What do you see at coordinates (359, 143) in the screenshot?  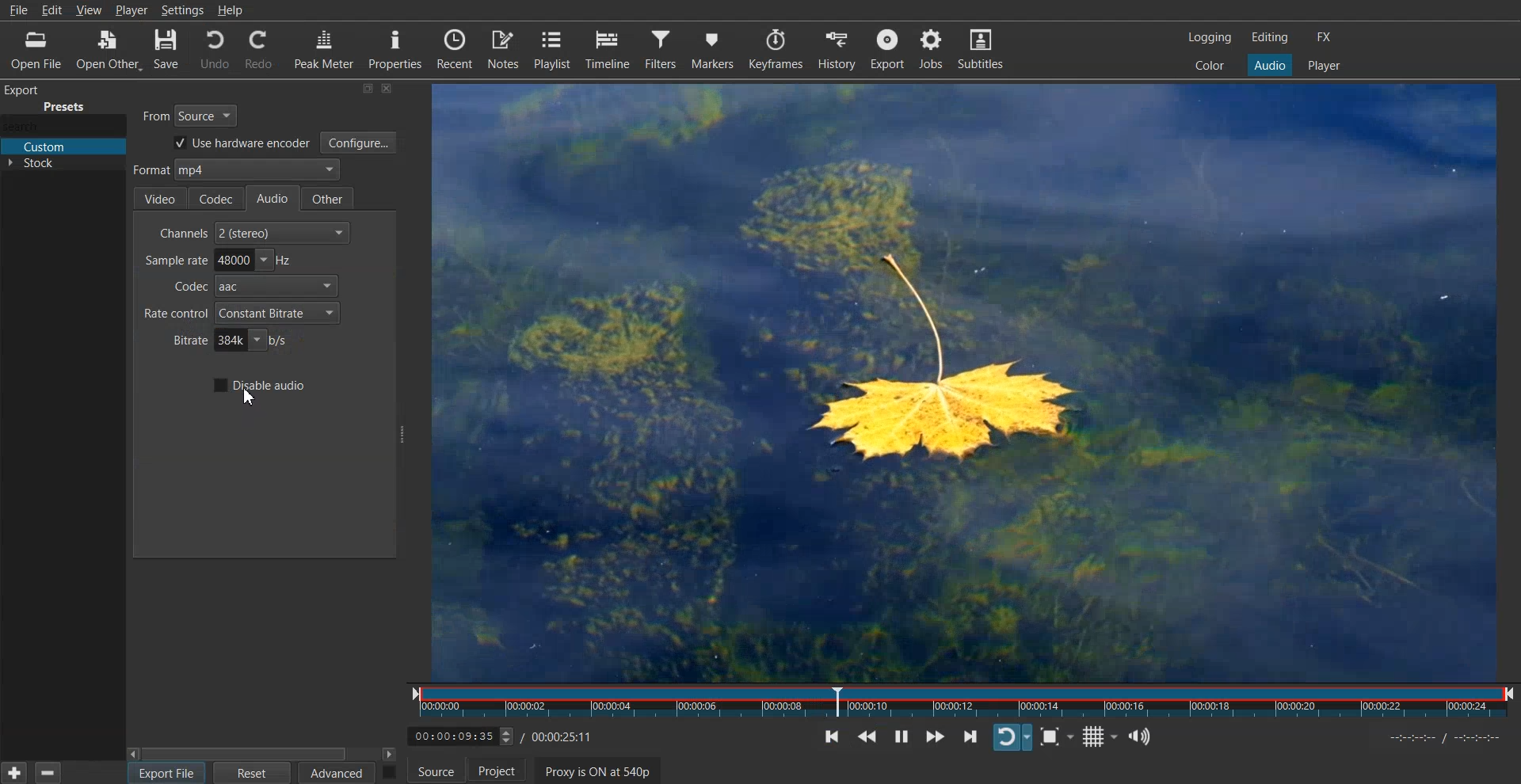 I see `Configure` at bounding box center [359, 143].